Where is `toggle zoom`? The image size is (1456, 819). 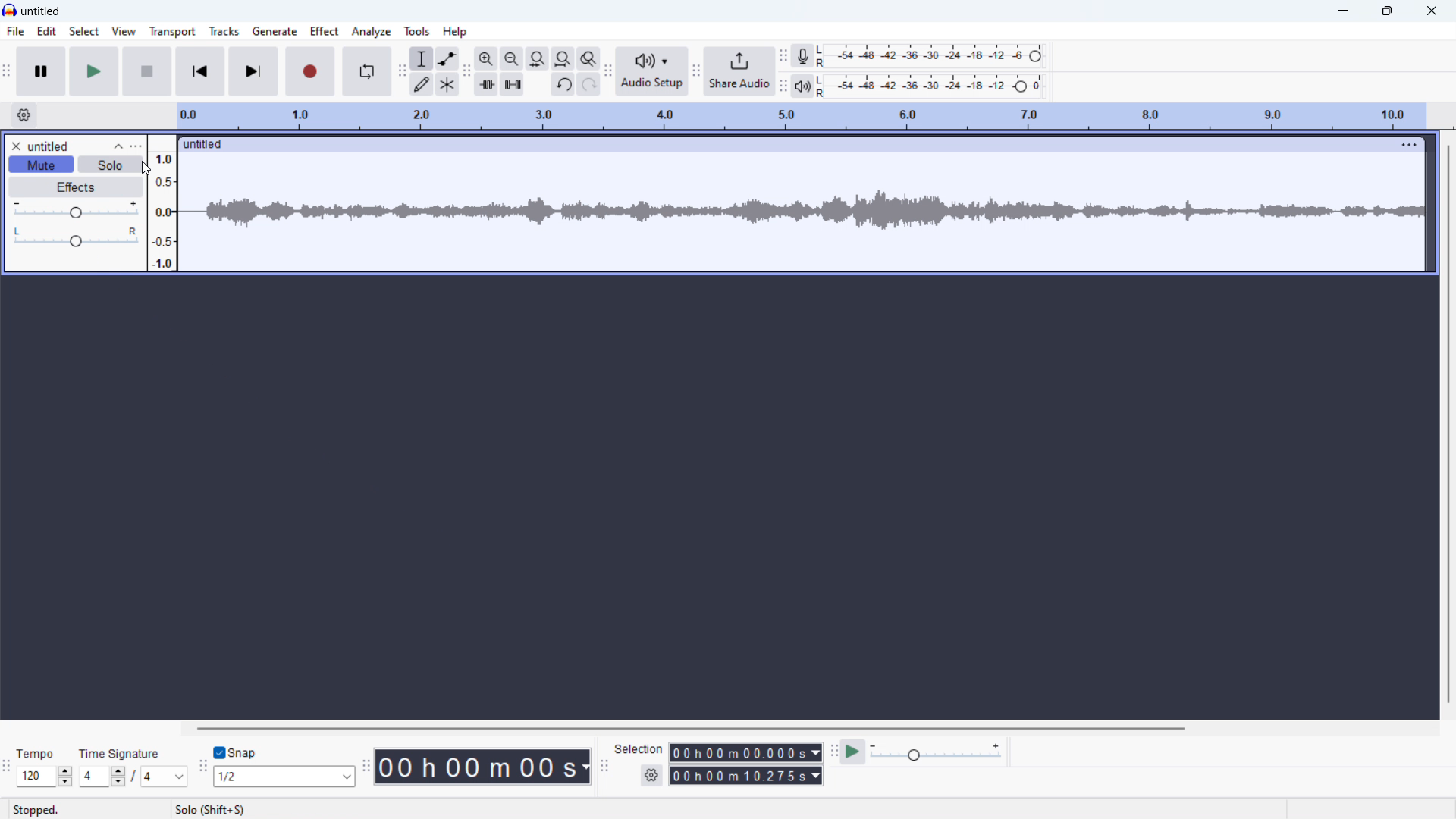
toggle zoom is located at coordinates (588, 59).